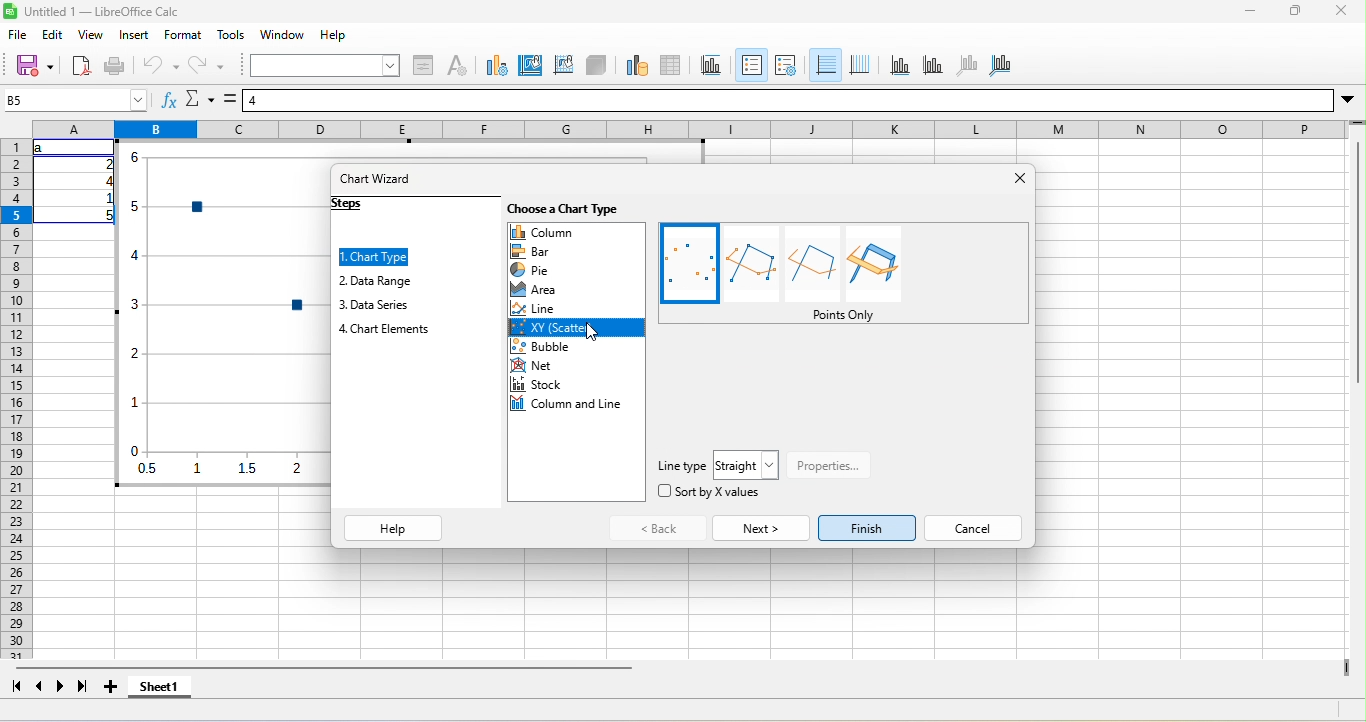 Image resolution: width=1366 pixels, height=722 pixels. What do you see at coordinates (206, 66) in the screenshot?
I see `redo` at bounding box center [206, 66].